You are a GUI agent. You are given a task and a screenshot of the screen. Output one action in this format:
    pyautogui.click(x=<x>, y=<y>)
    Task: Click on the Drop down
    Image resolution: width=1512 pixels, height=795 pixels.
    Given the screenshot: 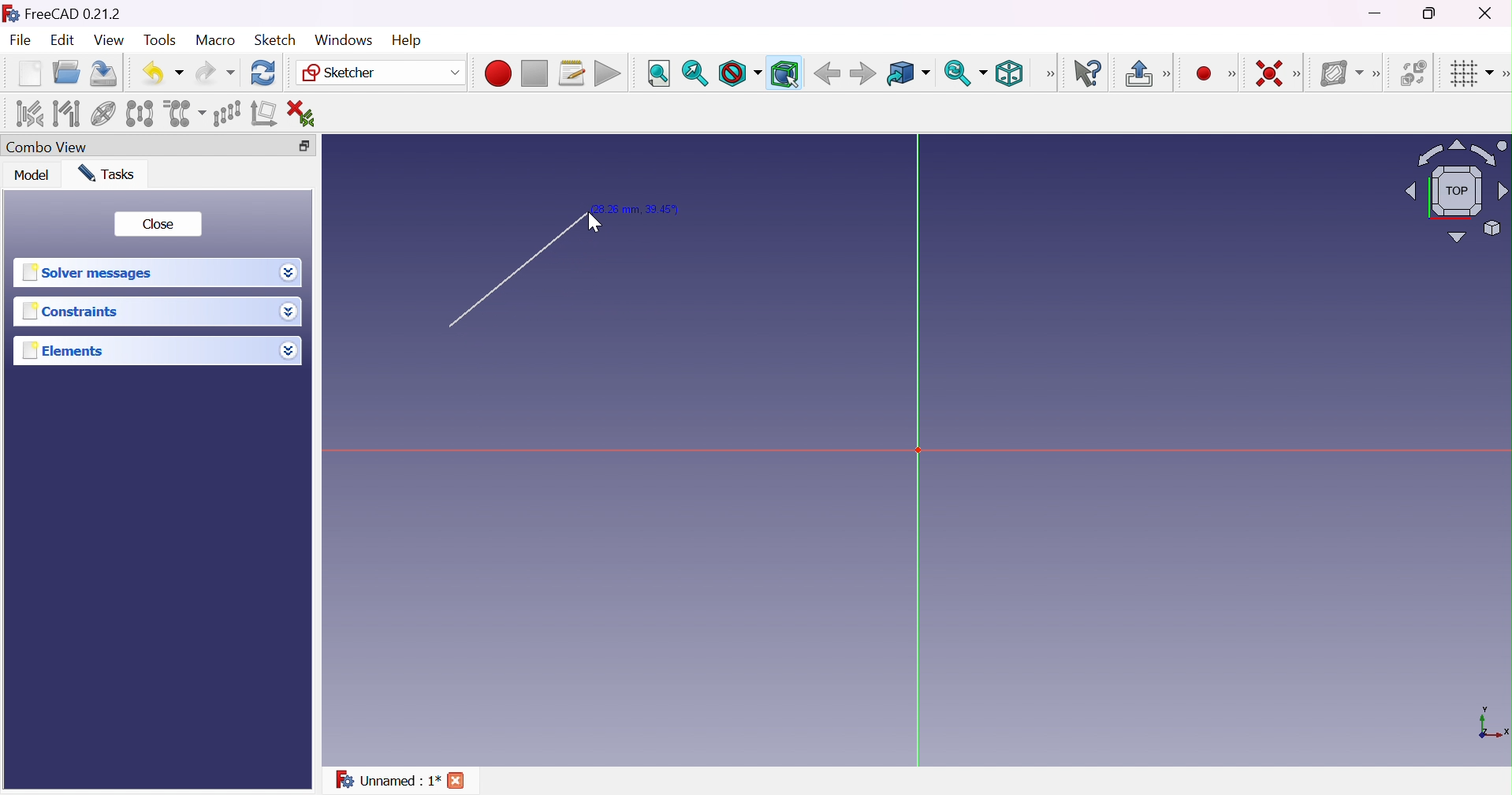 What is the action you would take?
    pyautogui.click(x=291, y=353)
    